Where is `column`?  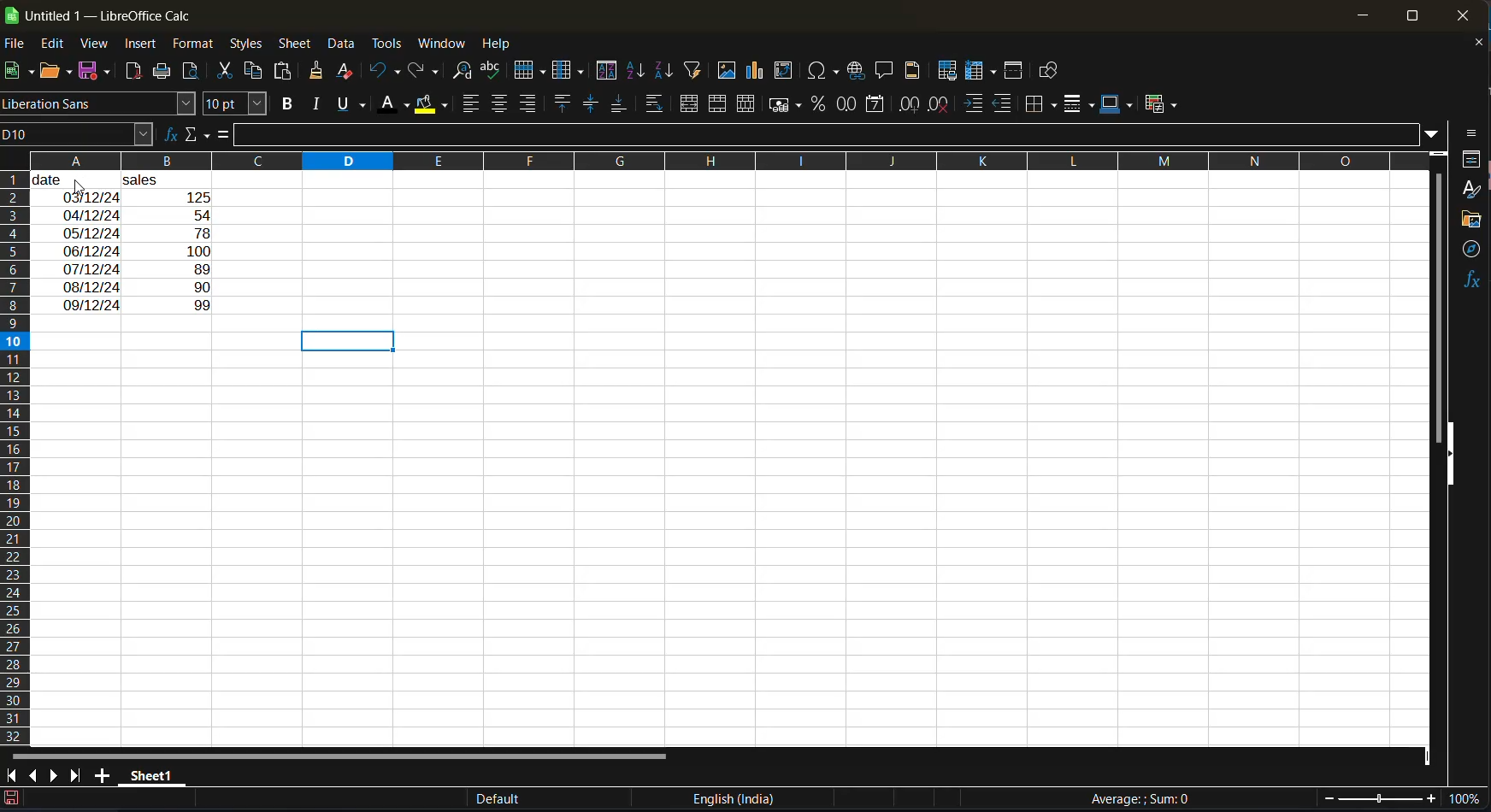 column is located at coordinates (572, 72).